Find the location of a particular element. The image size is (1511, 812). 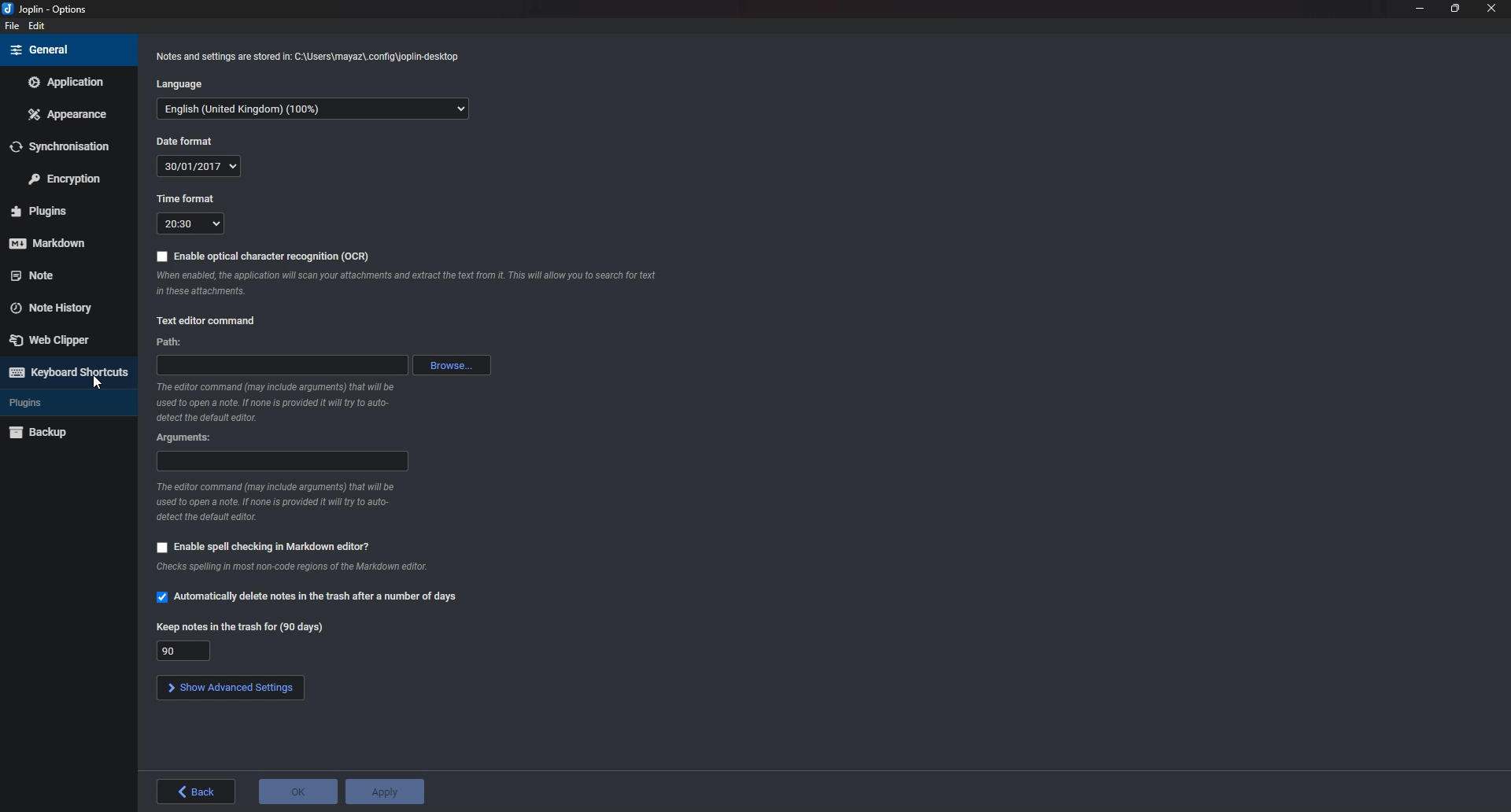

browse is located at coordinates (450, 364).